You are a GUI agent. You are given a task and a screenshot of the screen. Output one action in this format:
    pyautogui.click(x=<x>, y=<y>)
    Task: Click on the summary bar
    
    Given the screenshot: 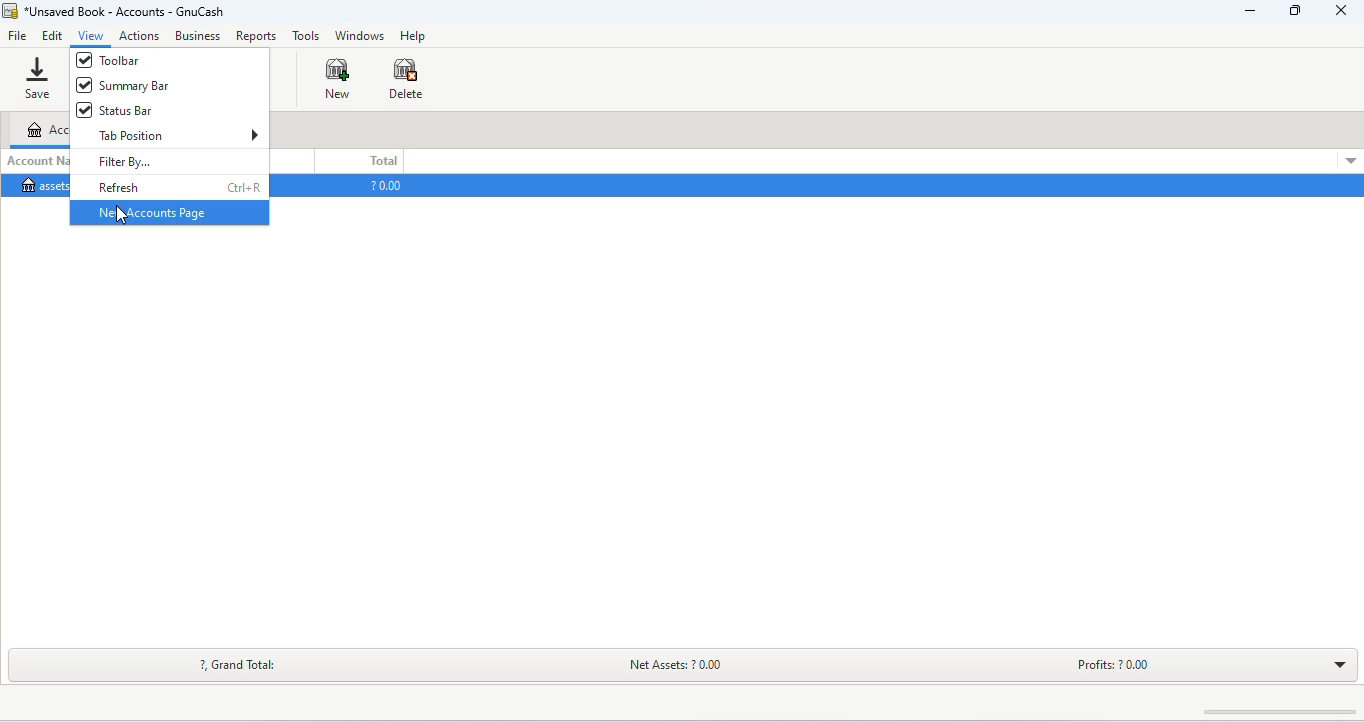 What is the action you would take?
    pyautogui.click(x=136, y=87)
    